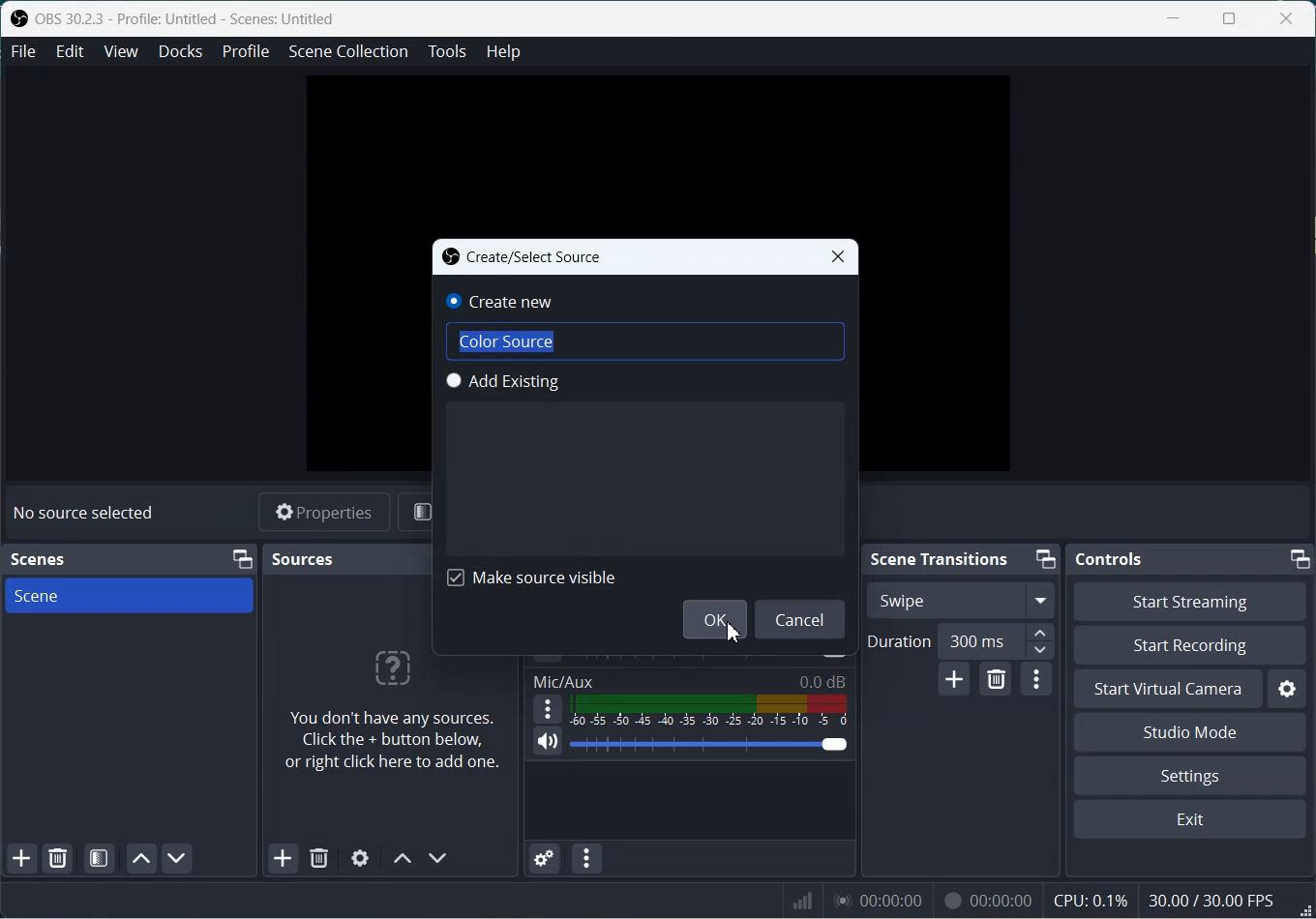  Describe the element at coordinates (997, 682) in the screenshot. I see `Remove configurable transition` at that location.